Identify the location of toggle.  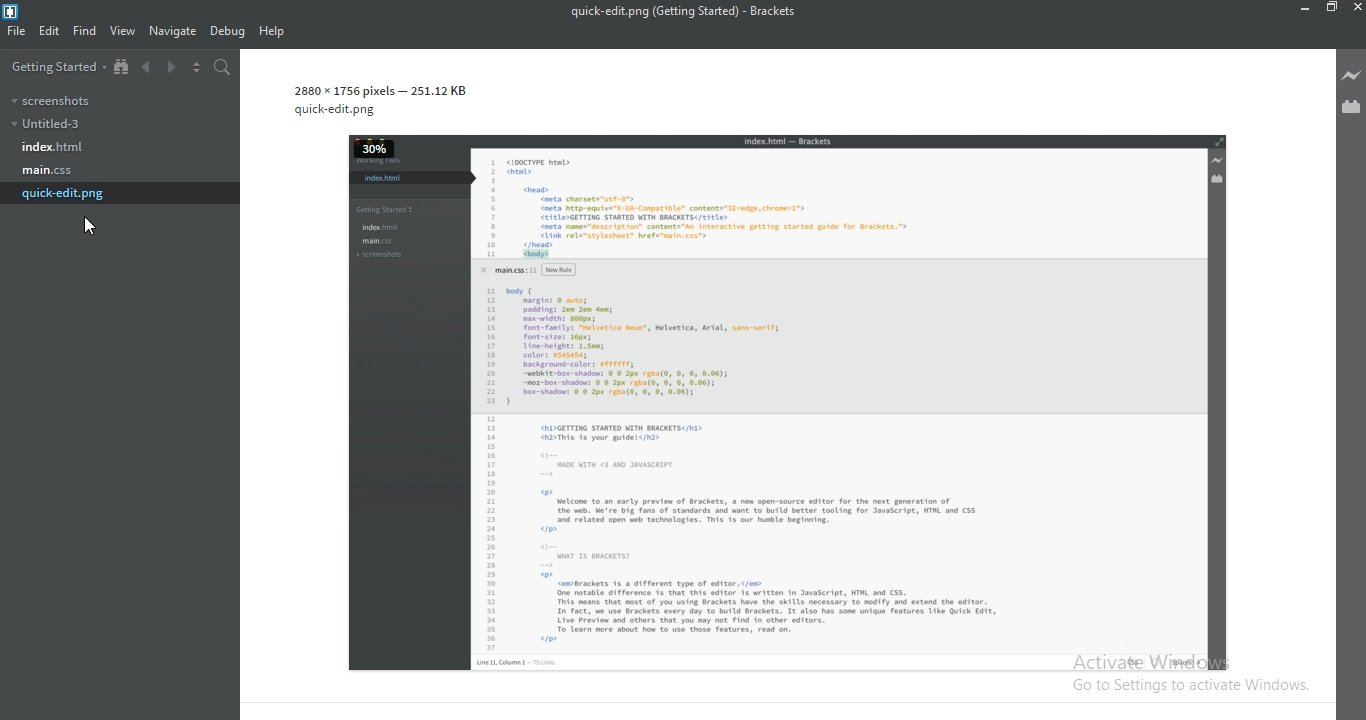
(196, 67).